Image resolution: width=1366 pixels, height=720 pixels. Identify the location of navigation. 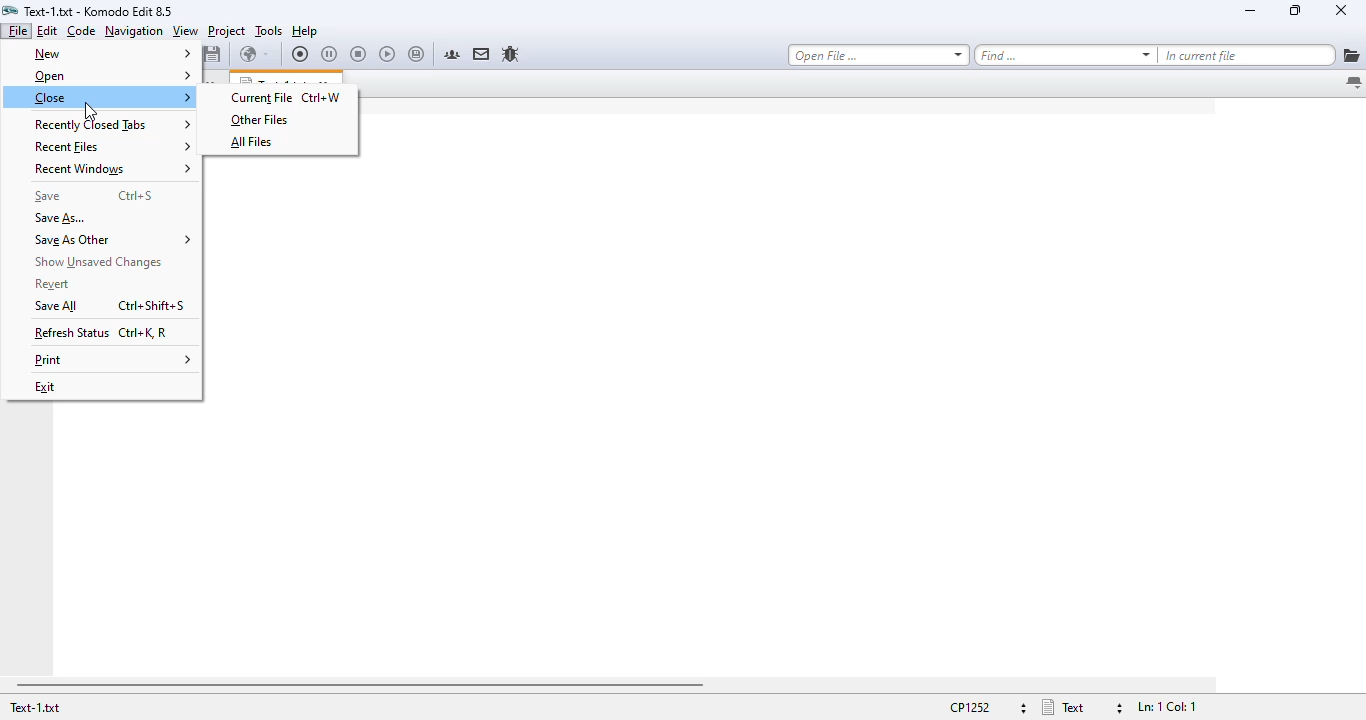
(134, 31).